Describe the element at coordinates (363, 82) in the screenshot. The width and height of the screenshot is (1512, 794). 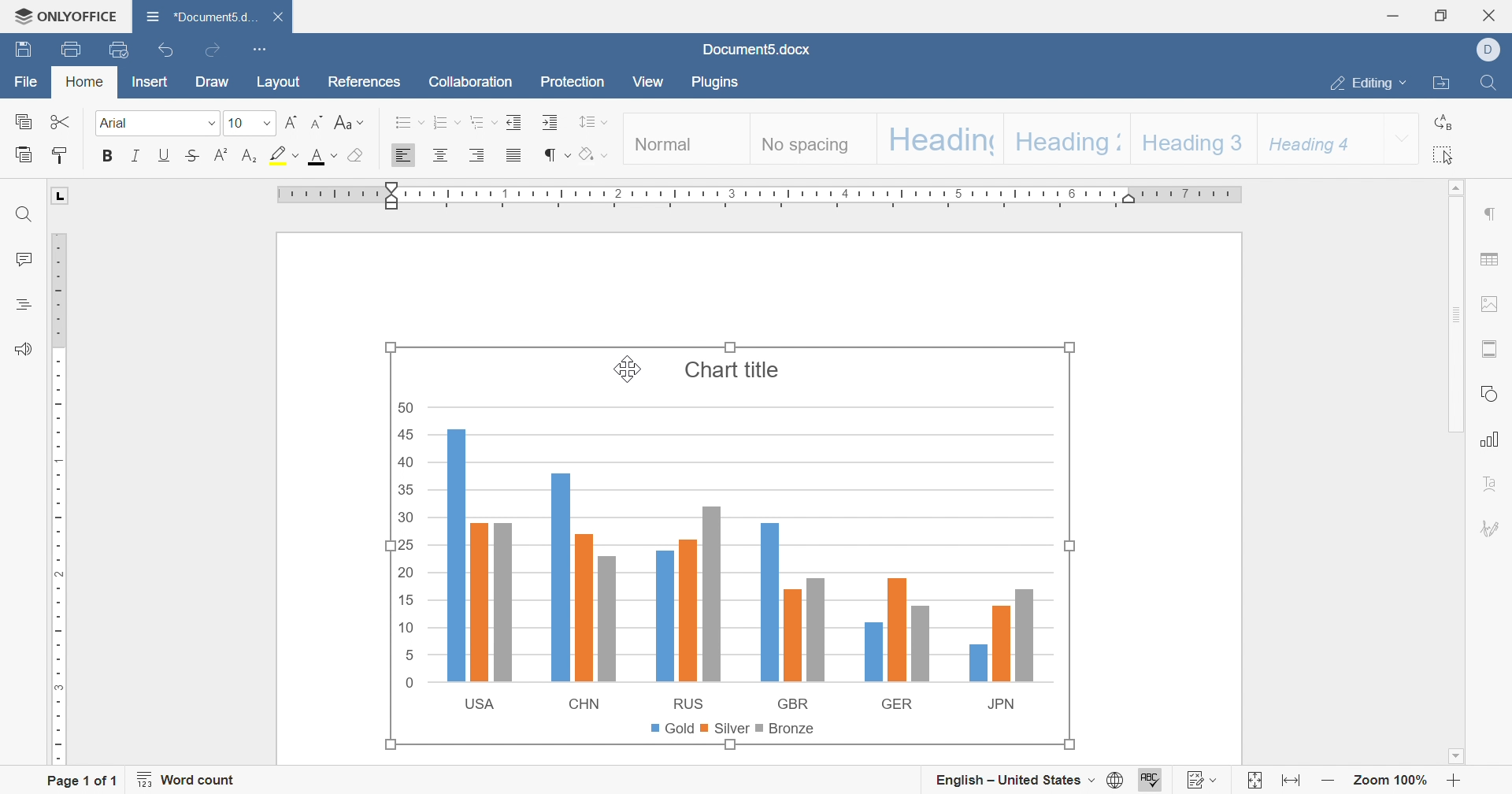
I see `references` at that location.